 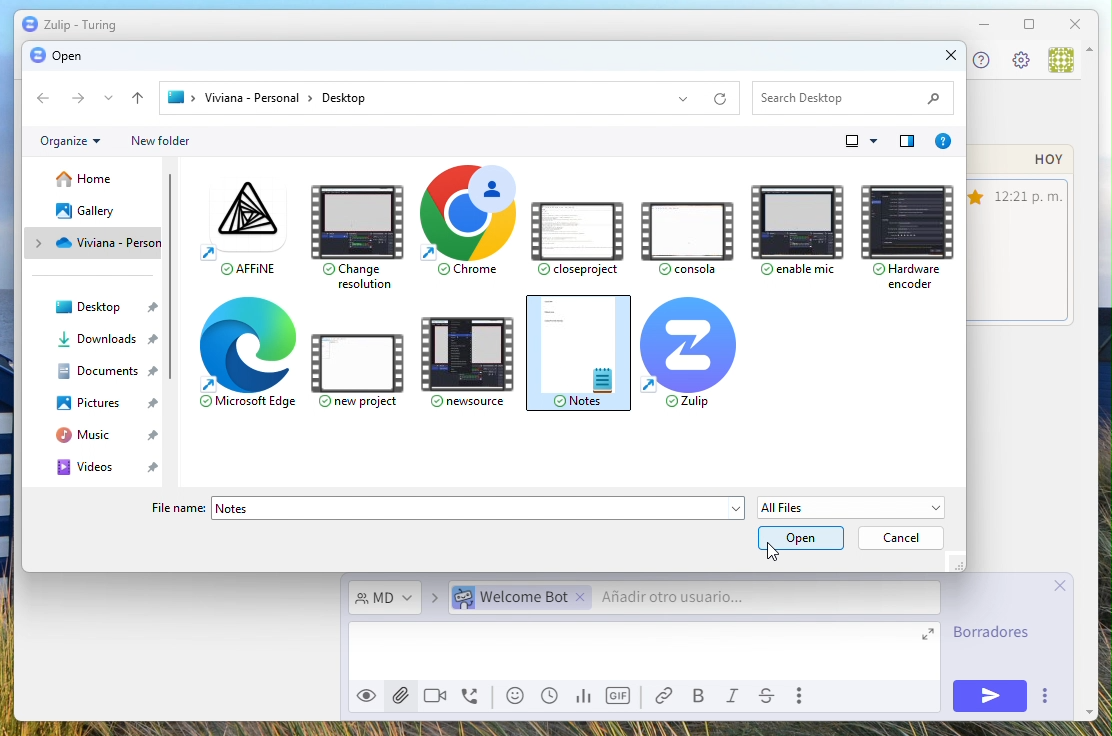 I want to click on hardware encoder, so click(x=902, y=230).